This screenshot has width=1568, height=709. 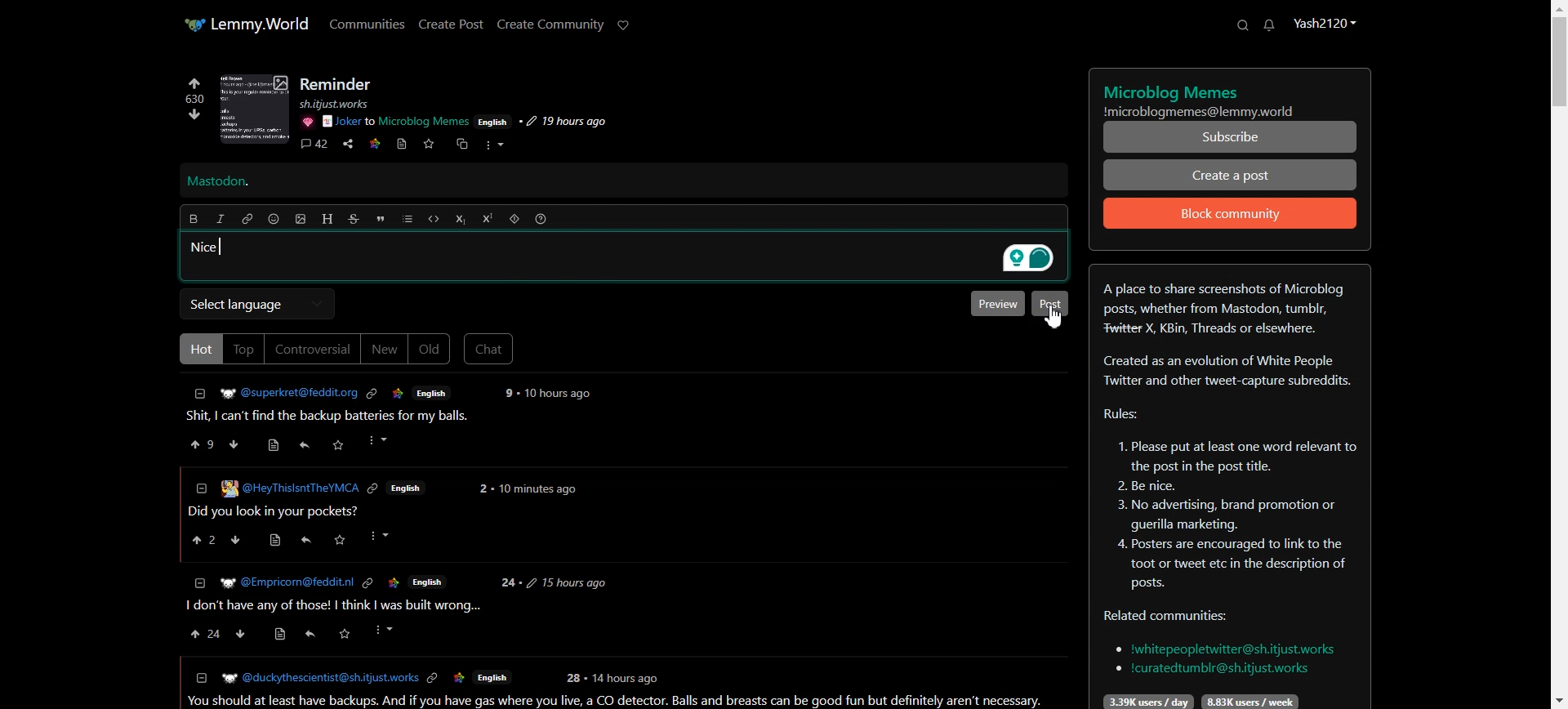 I want to click on Post, so click(x=1050, y=304).